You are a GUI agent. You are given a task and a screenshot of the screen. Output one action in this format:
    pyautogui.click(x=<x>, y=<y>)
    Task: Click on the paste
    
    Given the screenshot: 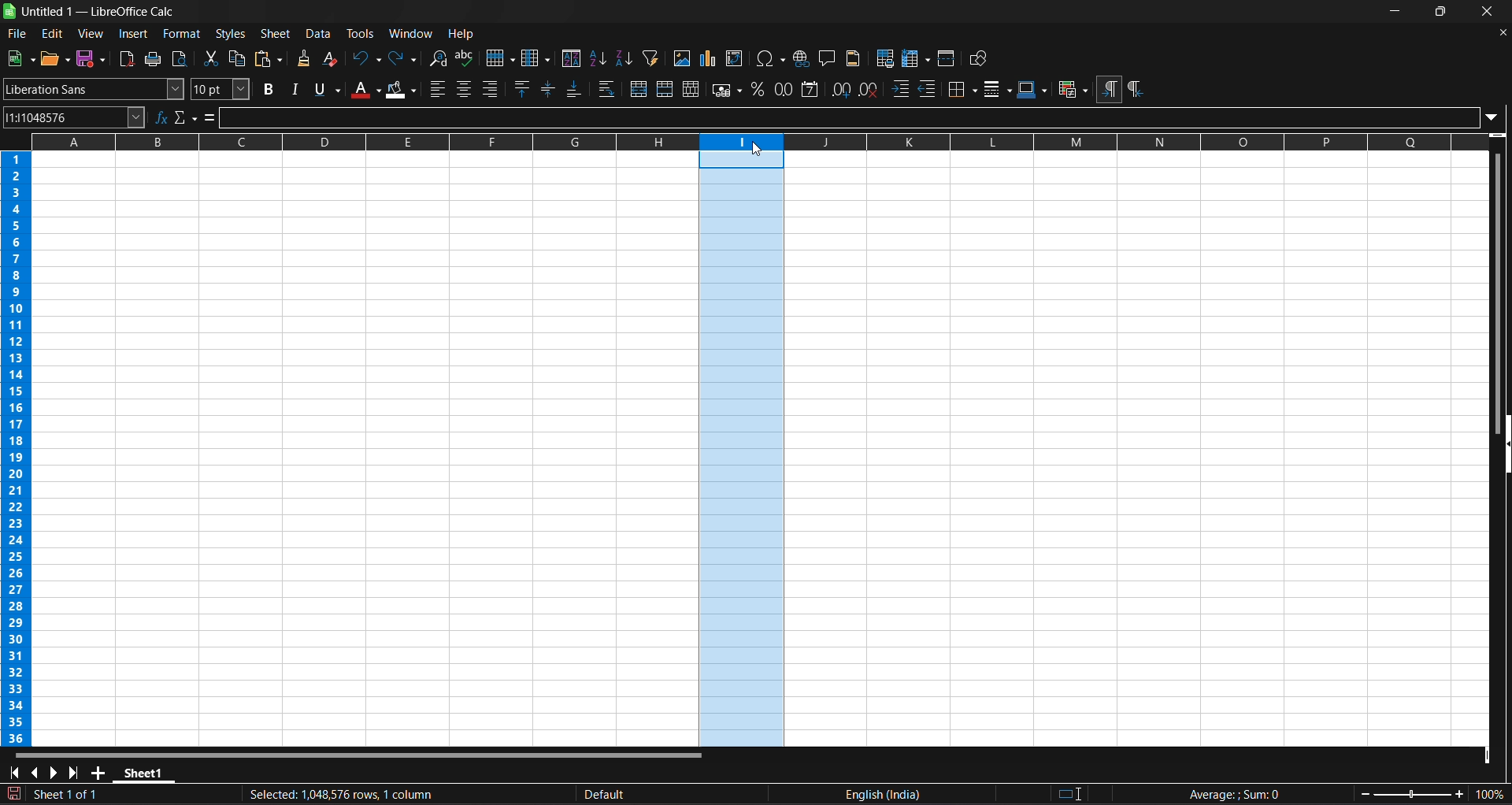 What is the action you would take?
    pyautogui.click(x=272, y=60)
    